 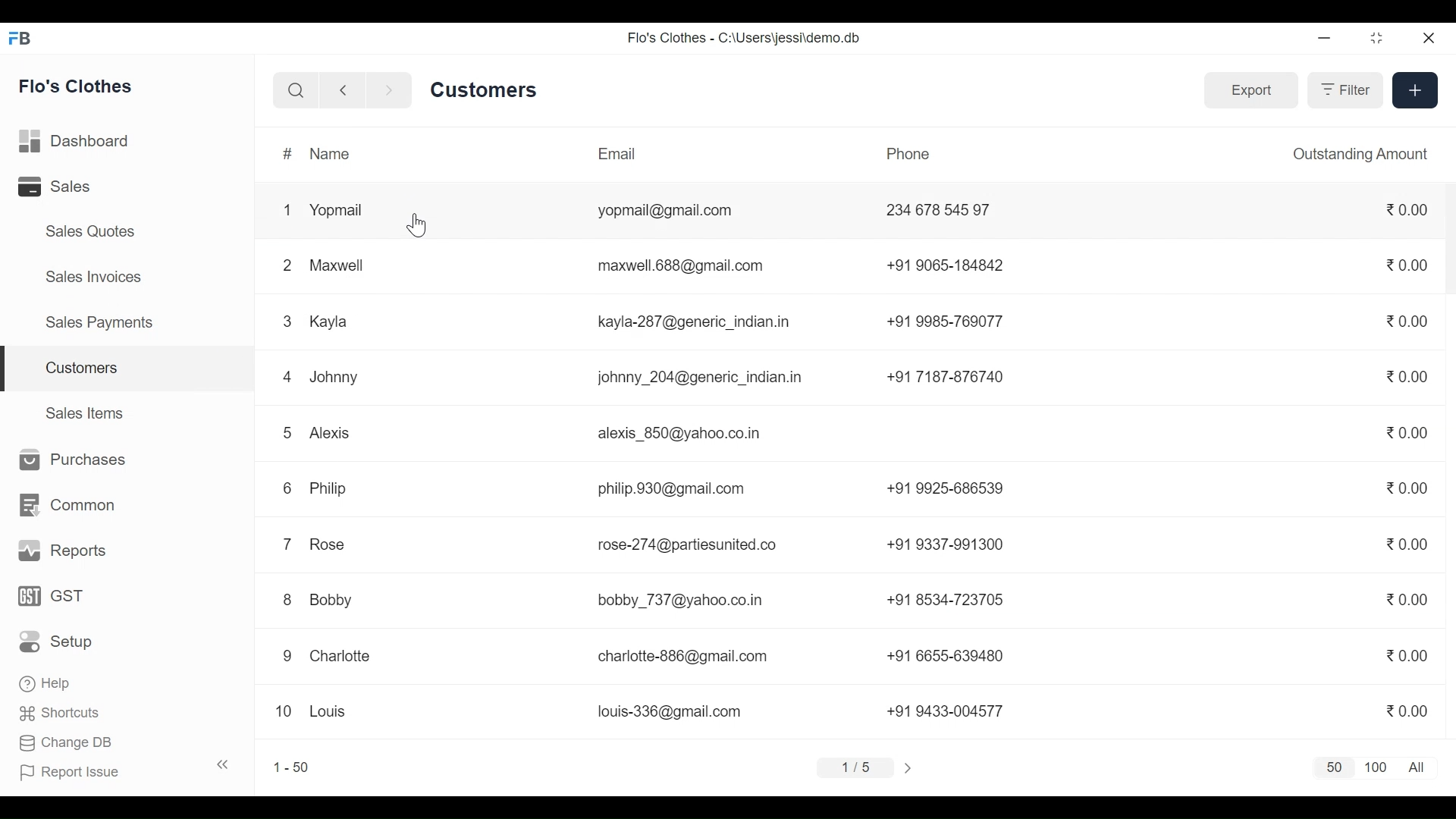 I want to click on 7, so click(x=285, y=544).